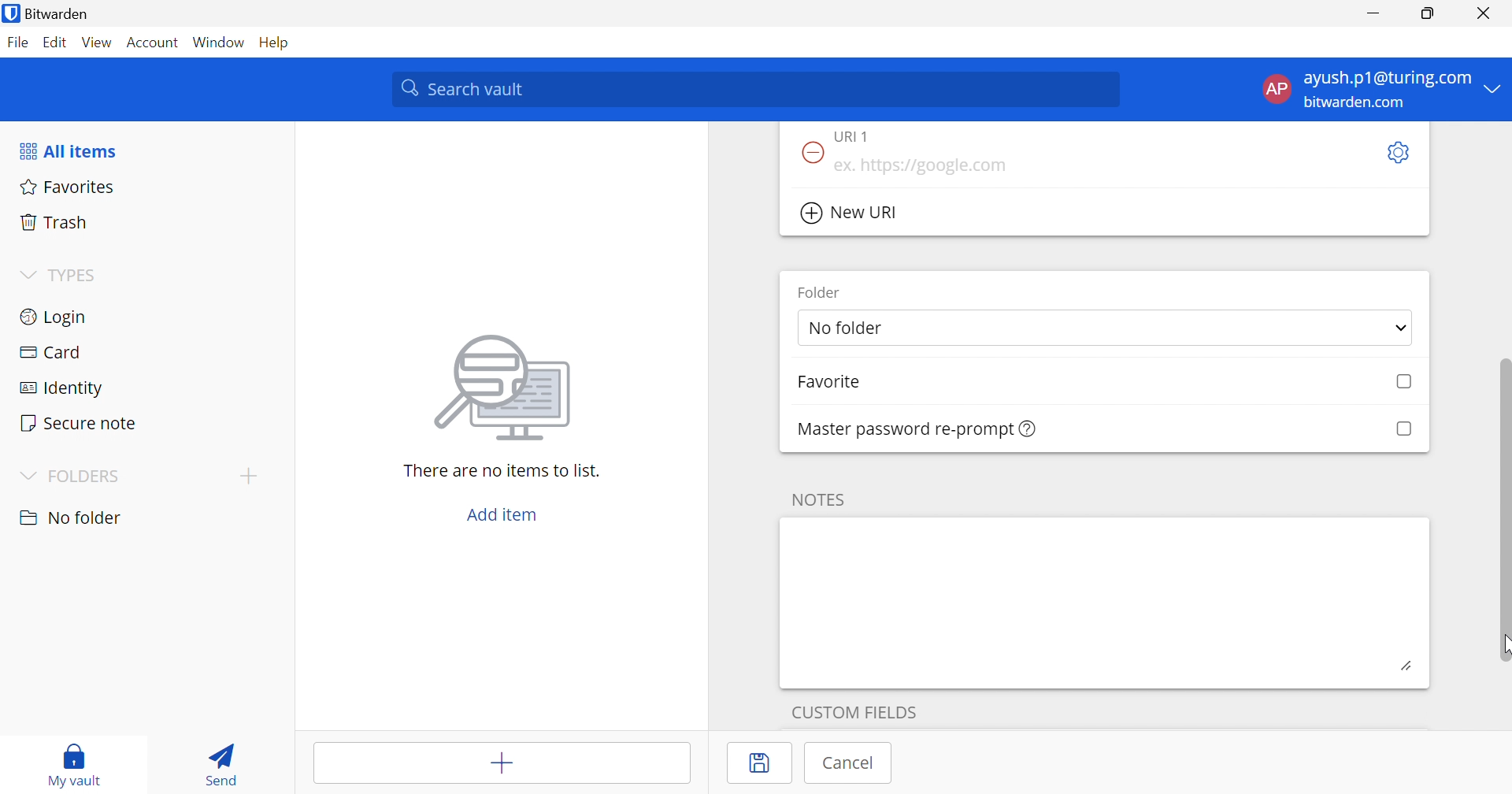 Image resolution: width=1512 pixels, height=794 pixels. Describe the element at coordinates (67, 151) in the screenshot. I see `All items` at that location.